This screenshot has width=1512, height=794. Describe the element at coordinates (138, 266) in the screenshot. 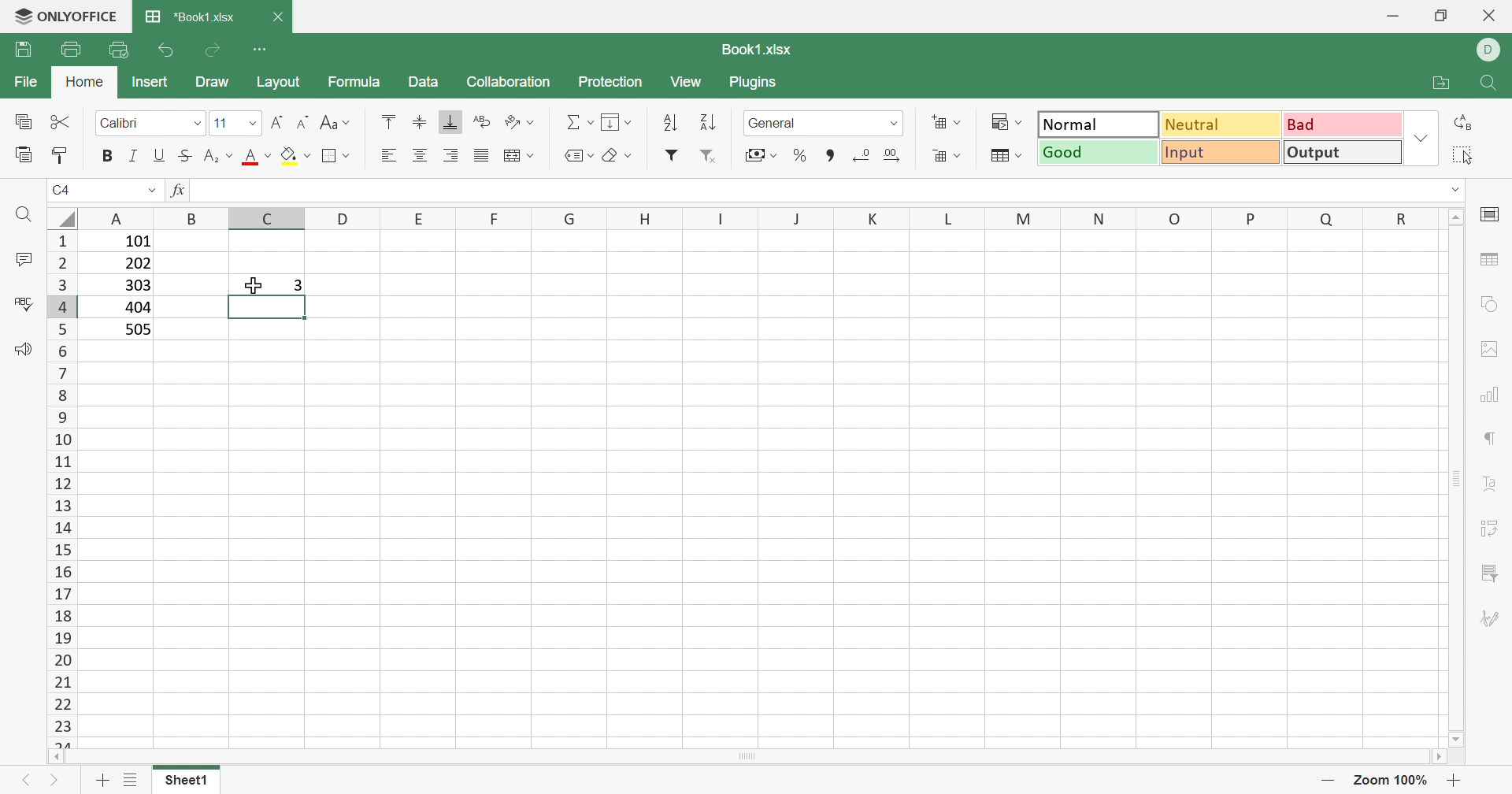

I see `202` at that location.